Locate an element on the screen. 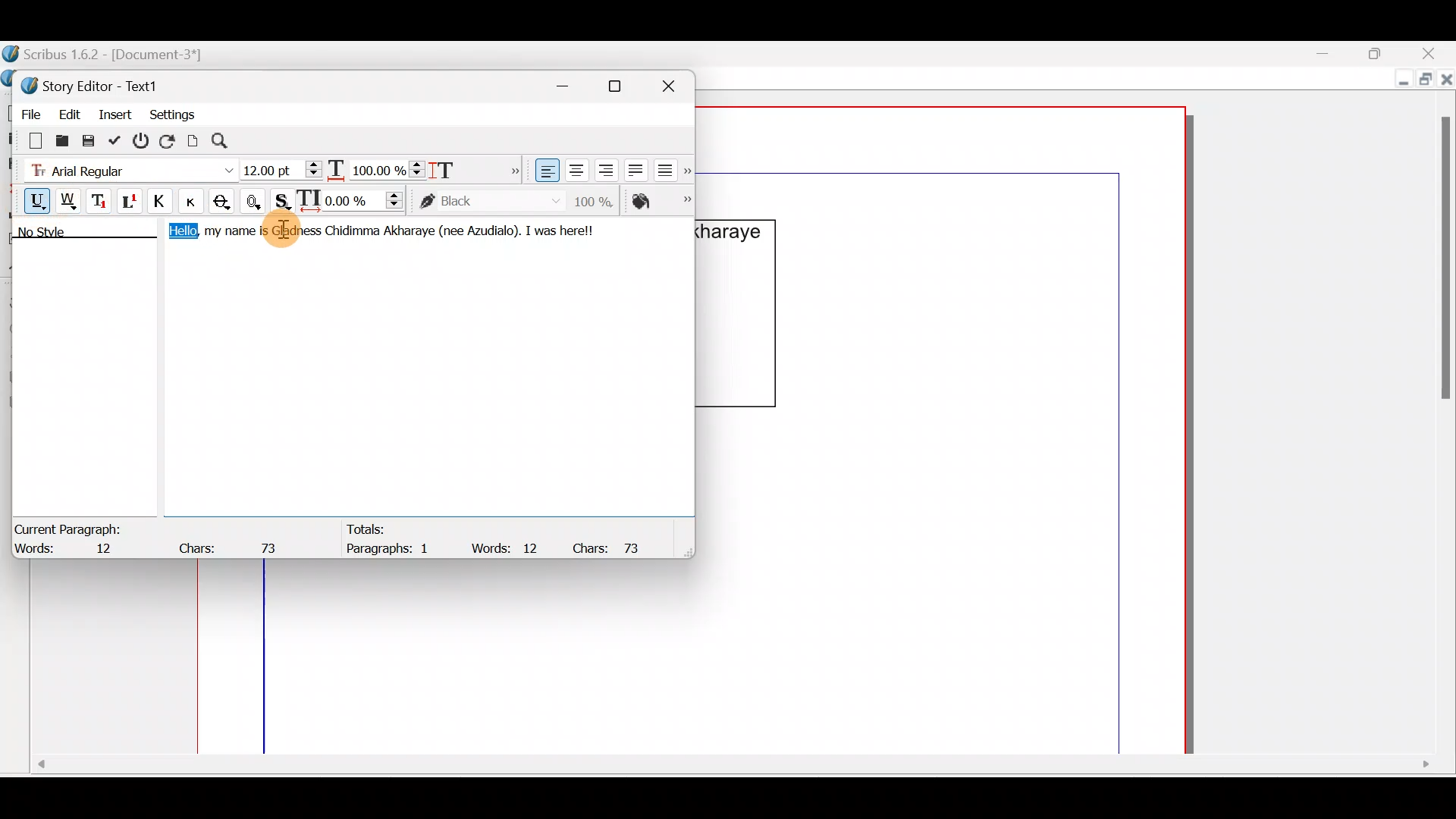  Outline is located at coordinates (256, 199).